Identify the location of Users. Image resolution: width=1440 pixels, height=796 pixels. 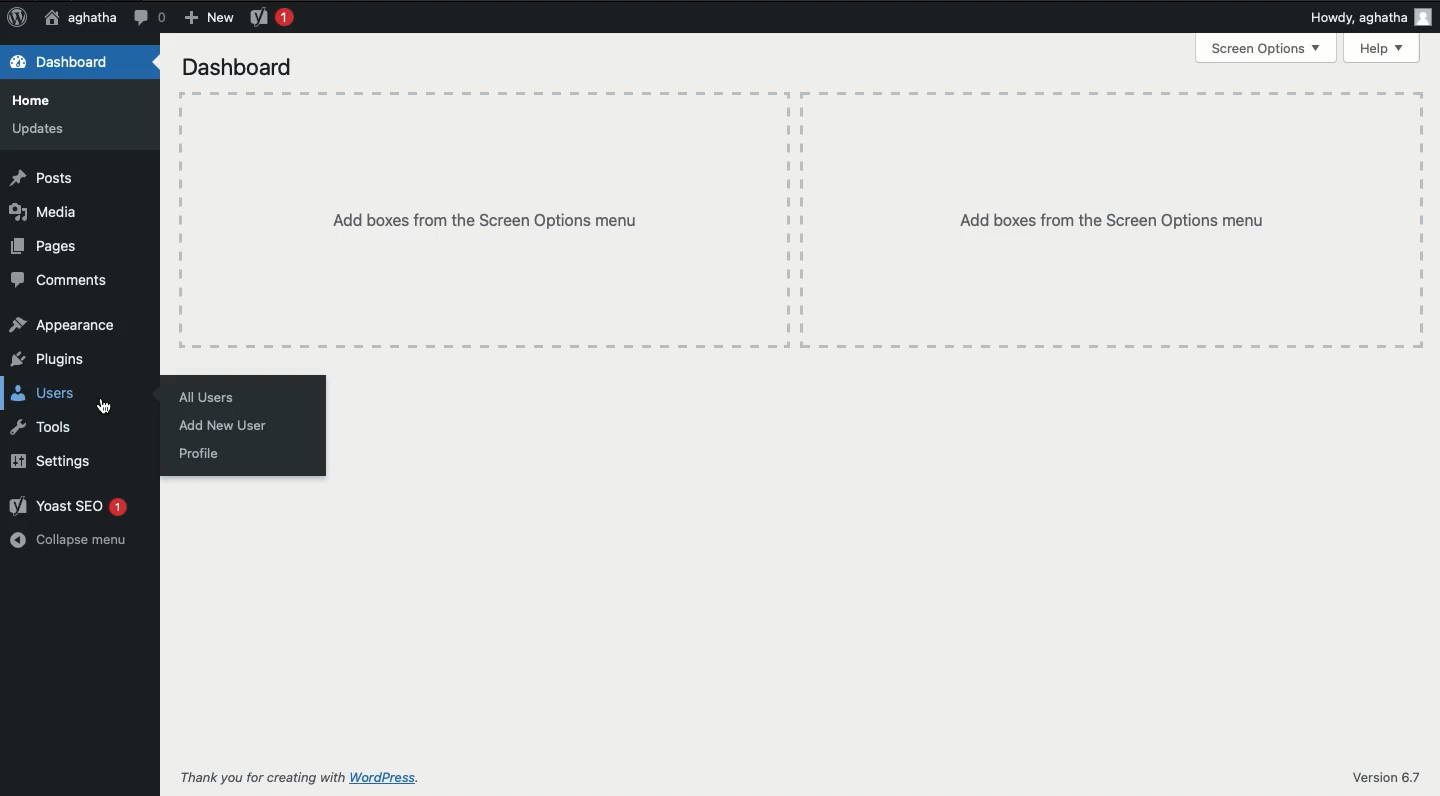
(43, 394).